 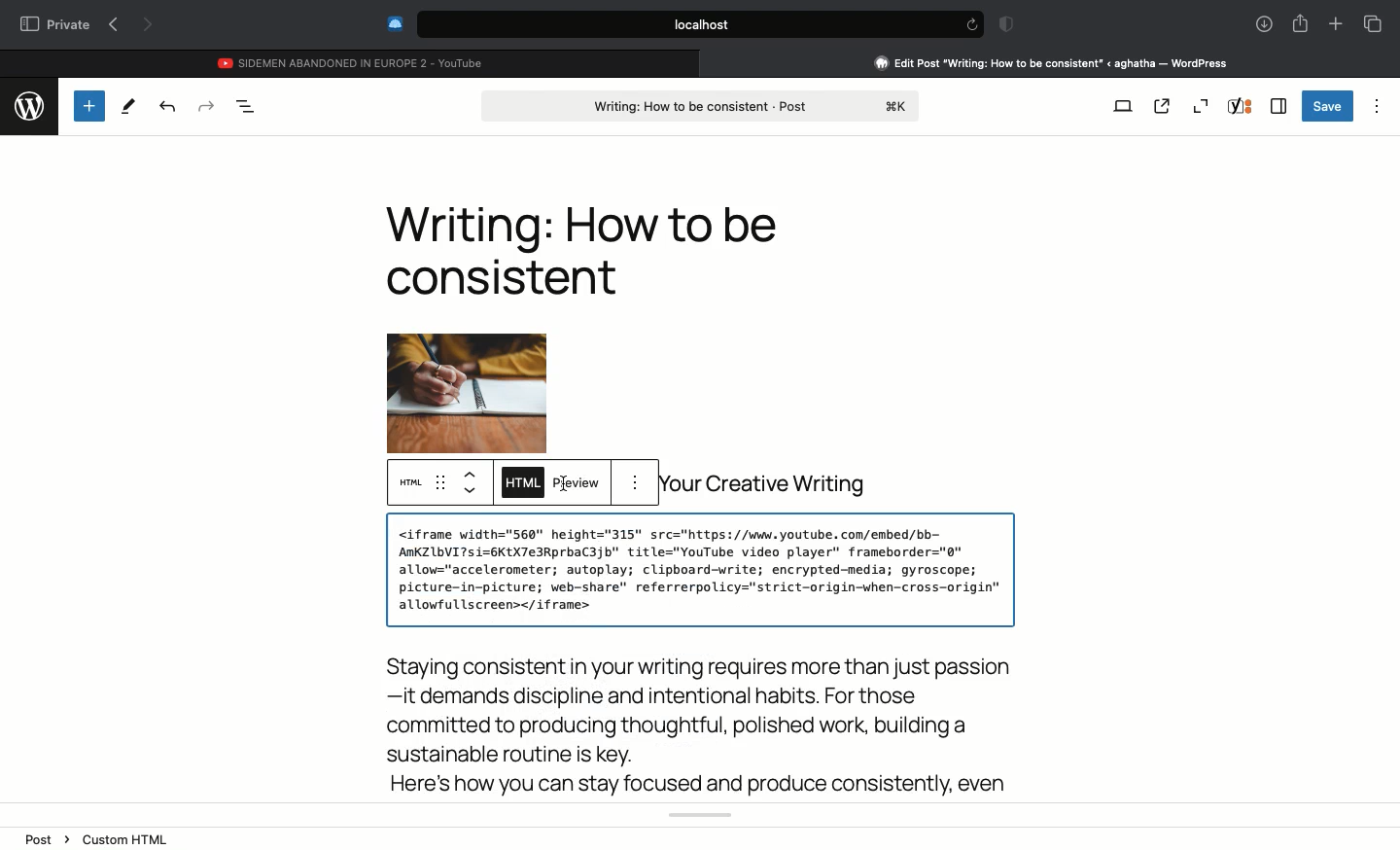 I want to click on HTML, so click(x=520, y=484).